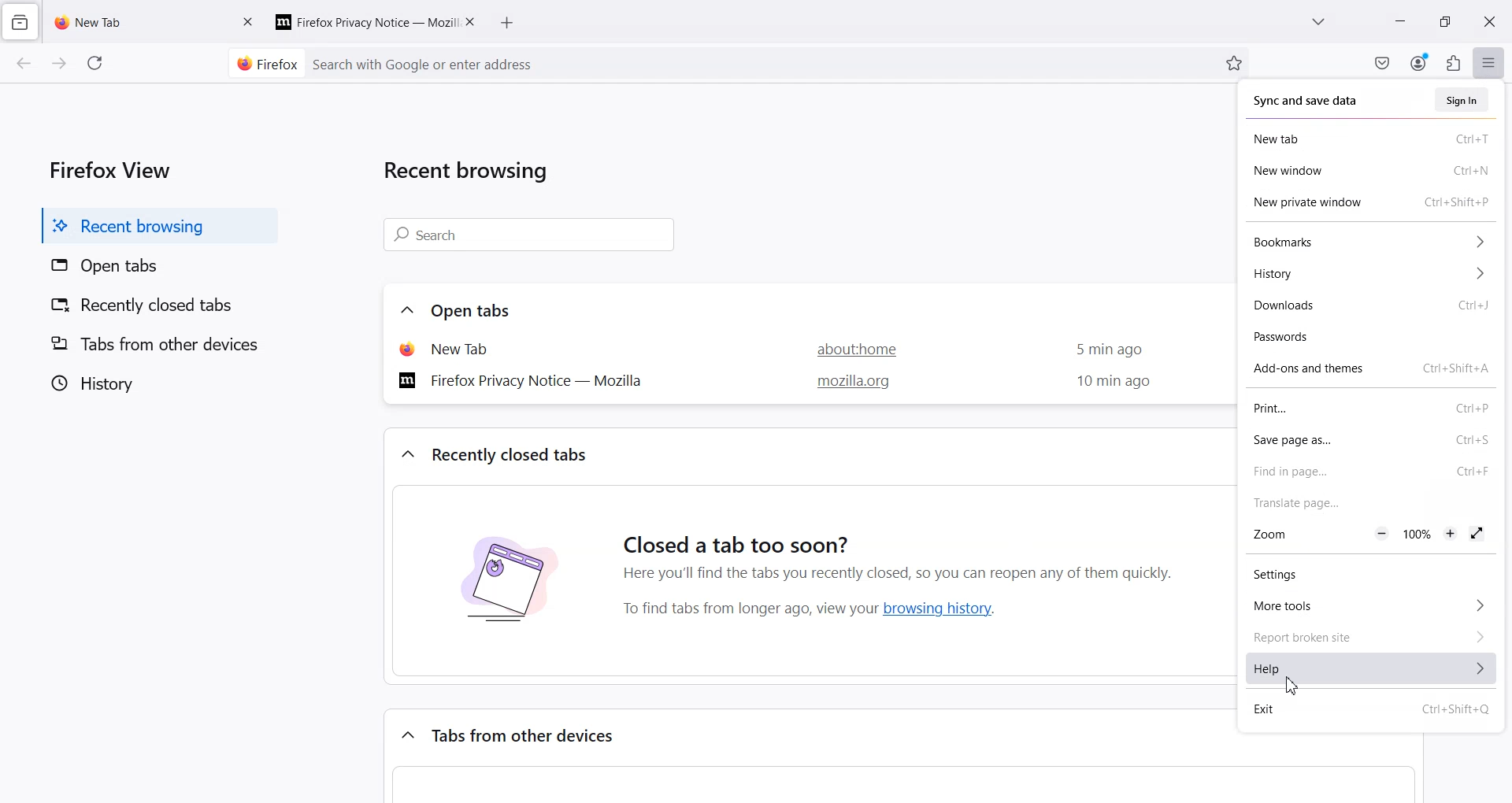 This screenshot has height=803, width=1512. I want to click on Zoom, so click(1304, 535).